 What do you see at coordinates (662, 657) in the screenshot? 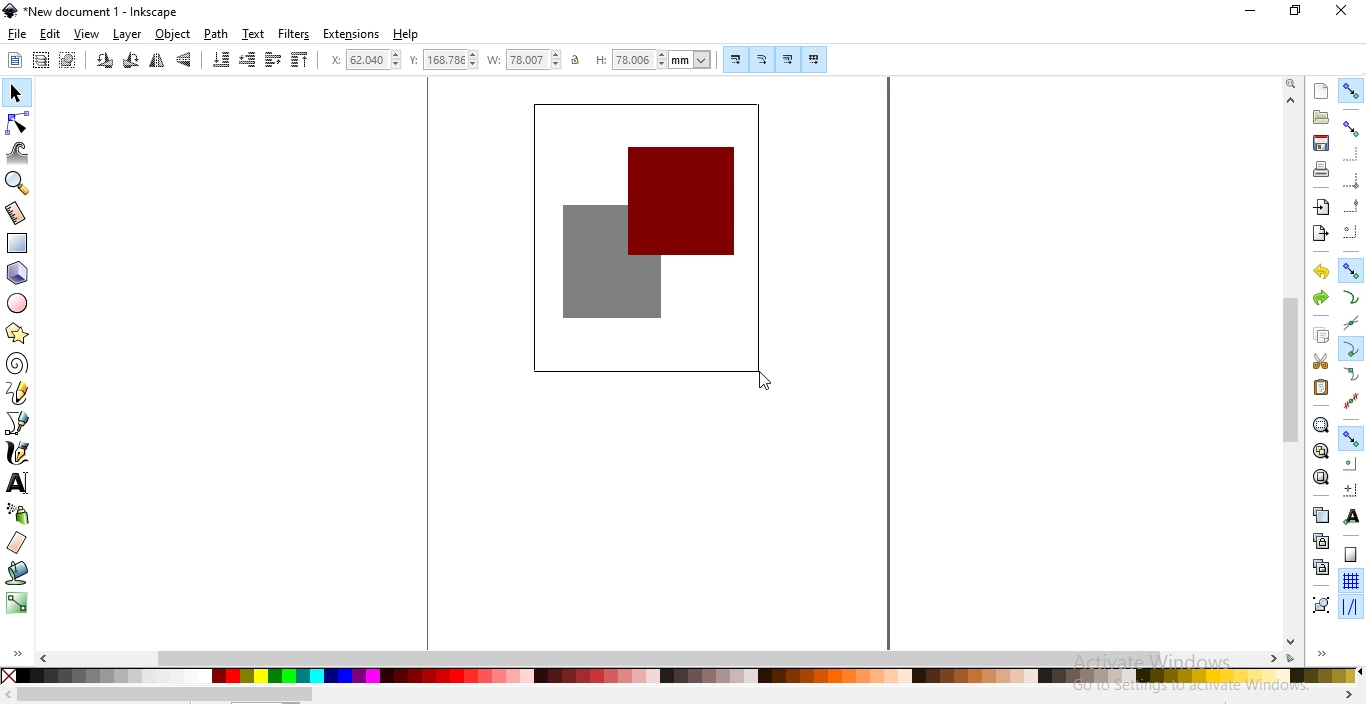
I see `scrollbar` at bounding box center [662, 657].